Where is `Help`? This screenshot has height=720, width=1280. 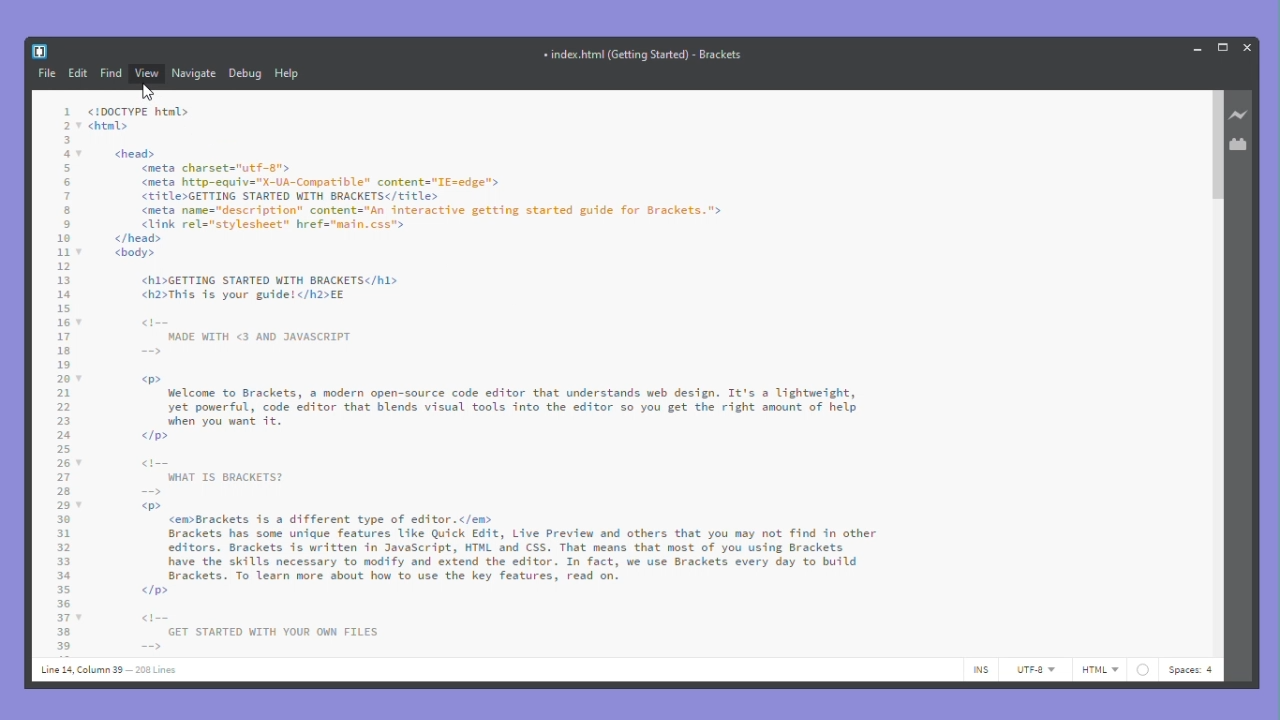
Help is located at coordinates (297, 73).